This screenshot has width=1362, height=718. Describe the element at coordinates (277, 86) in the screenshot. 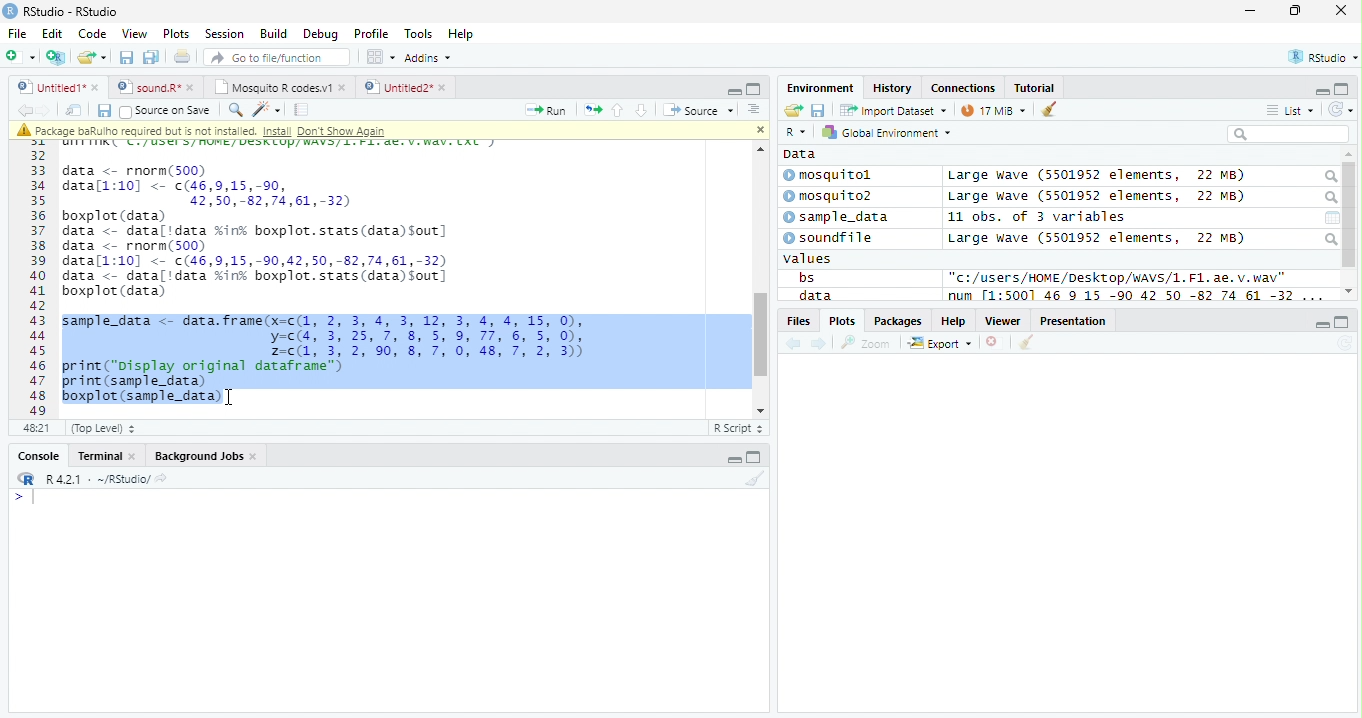

I see `Mosquito R codes.v1` at that location.